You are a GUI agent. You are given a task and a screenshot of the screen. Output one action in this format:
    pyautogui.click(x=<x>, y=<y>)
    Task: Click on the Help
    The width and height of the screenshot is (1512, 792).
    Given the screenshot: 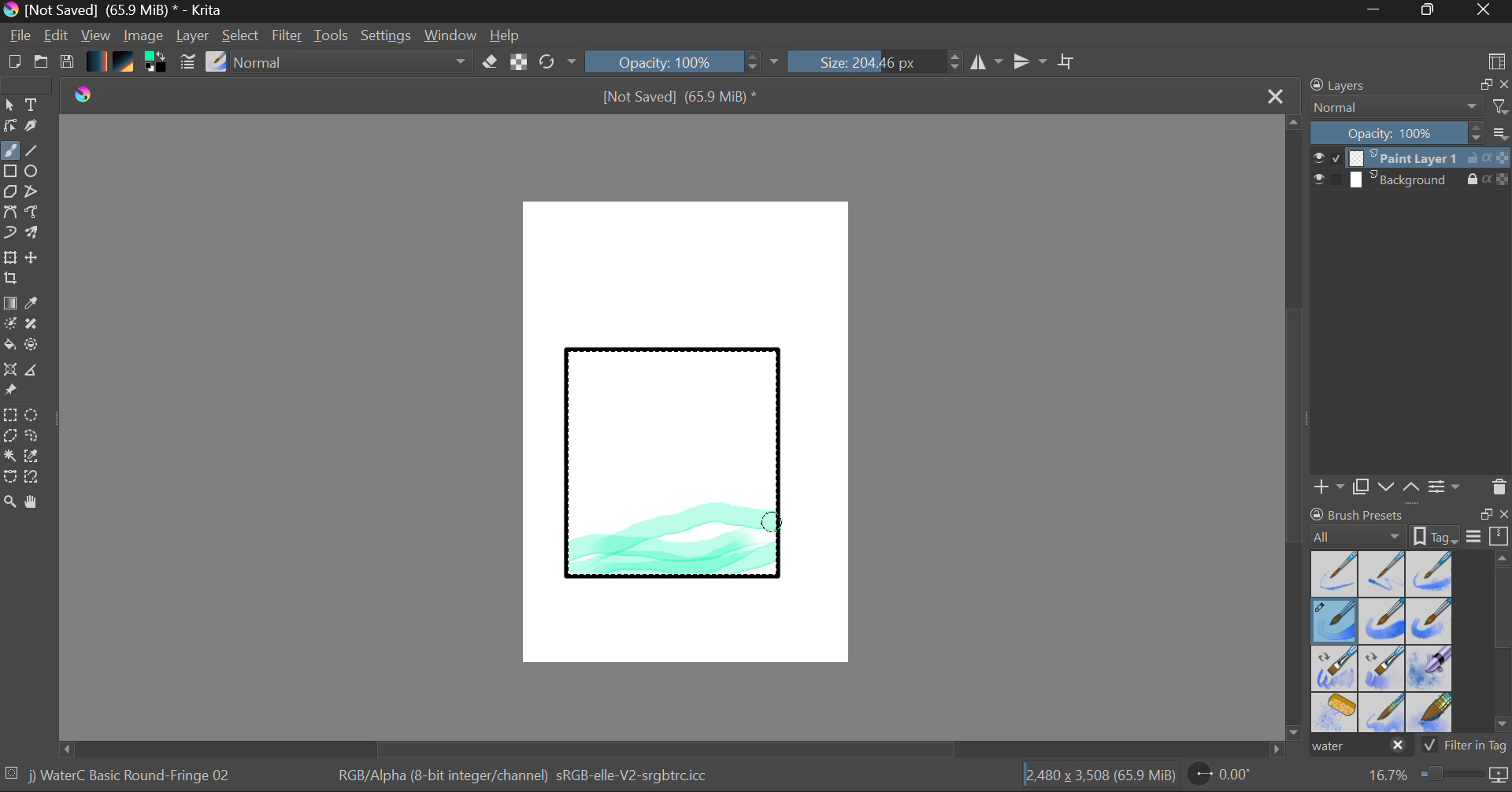 What is the action you would take?
    pyautogui.click(x=506, y=35)
    